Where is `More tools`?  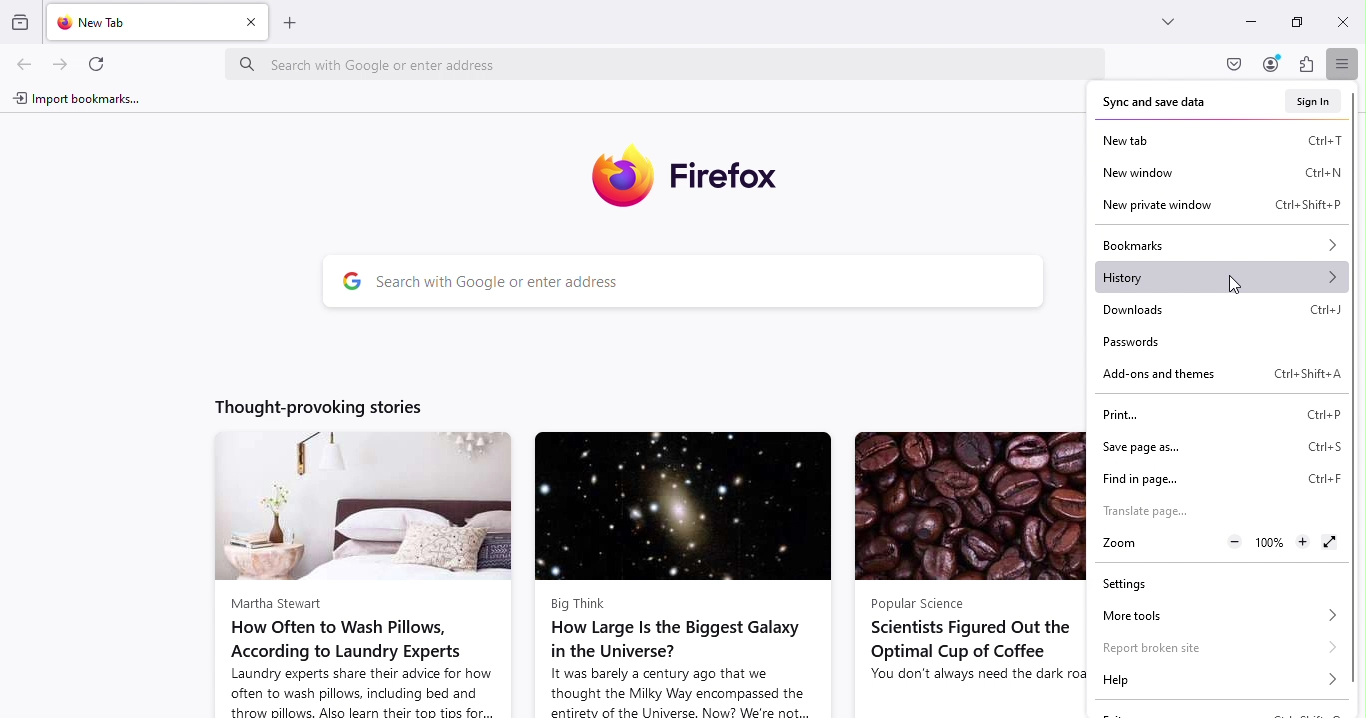 More tools is located at coordinates (1215, 614).